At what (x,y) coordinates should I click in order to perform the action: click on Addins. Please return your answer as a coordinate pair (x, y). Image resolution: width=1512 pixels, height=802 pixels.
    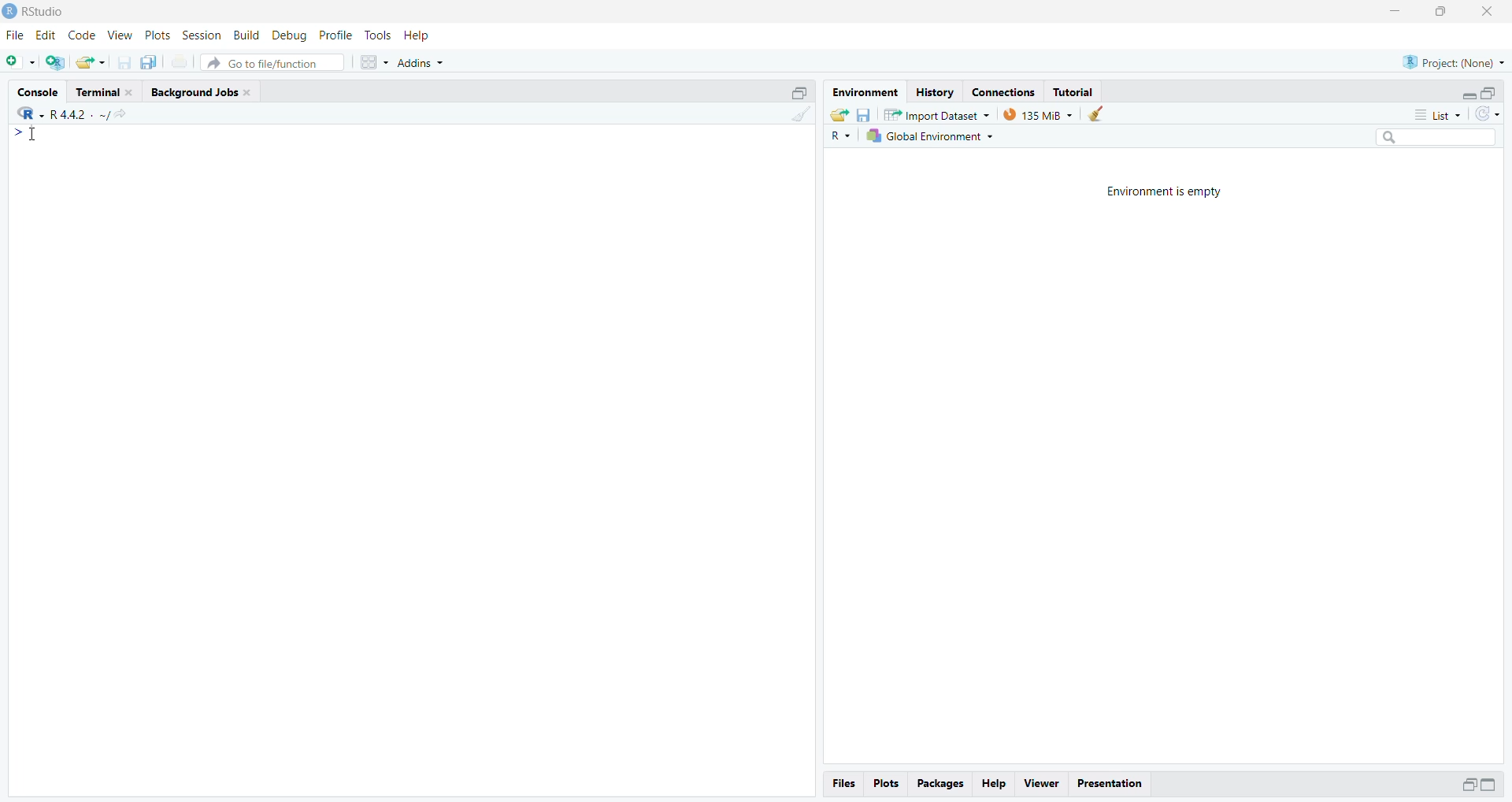
    Looking at the image, I should click on (425, 59).